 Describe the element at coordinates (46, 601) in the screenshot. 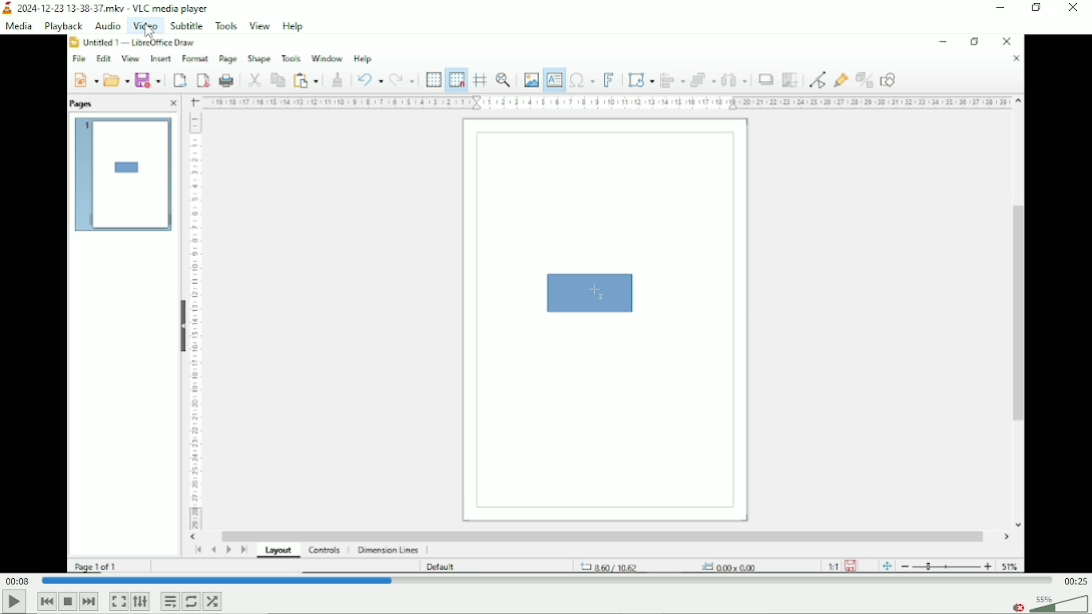

I see `Previous` at that location.